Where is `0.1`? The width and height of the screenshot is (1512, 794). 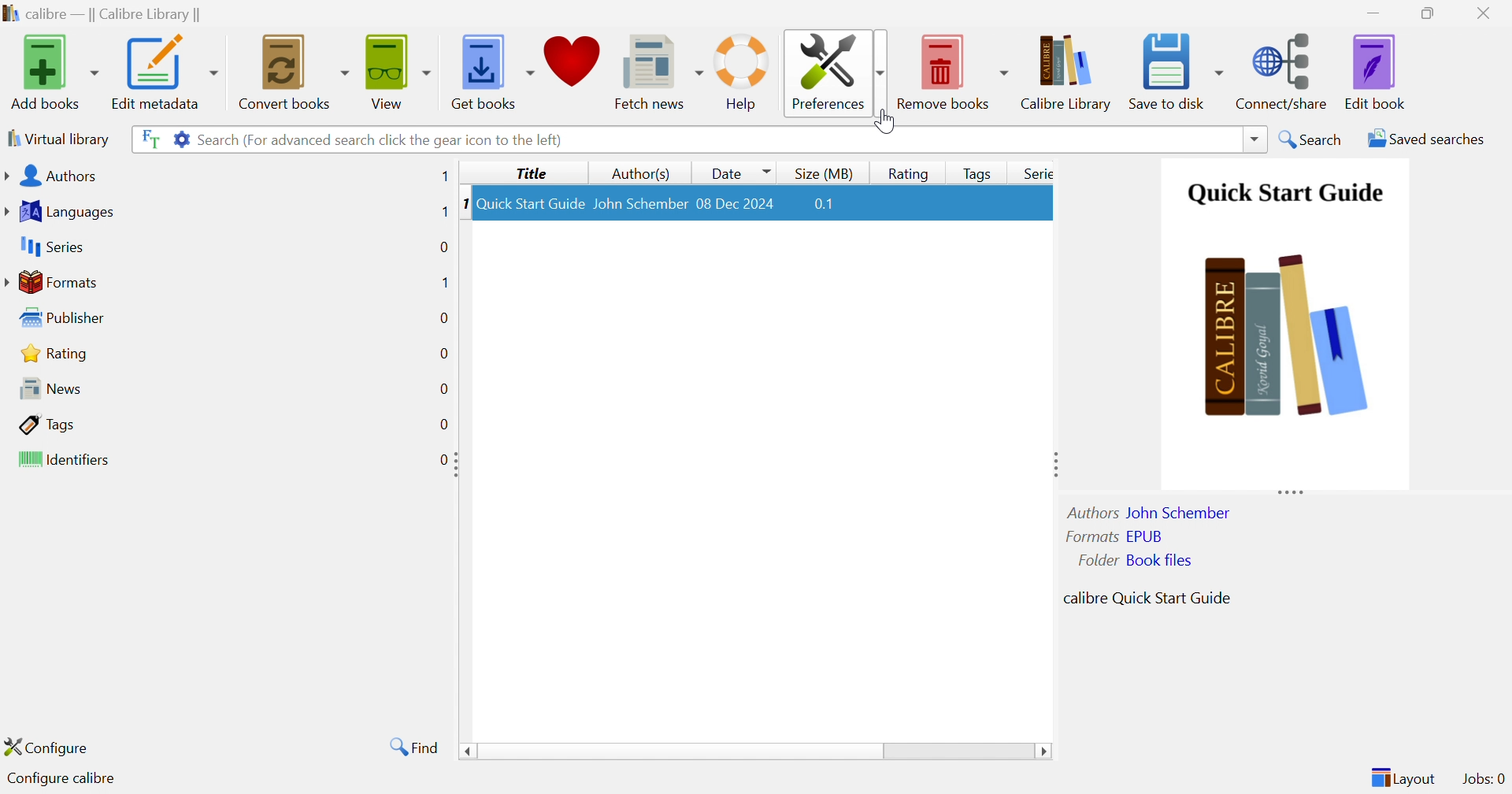
0.1 is located at coordinates (825, 206).